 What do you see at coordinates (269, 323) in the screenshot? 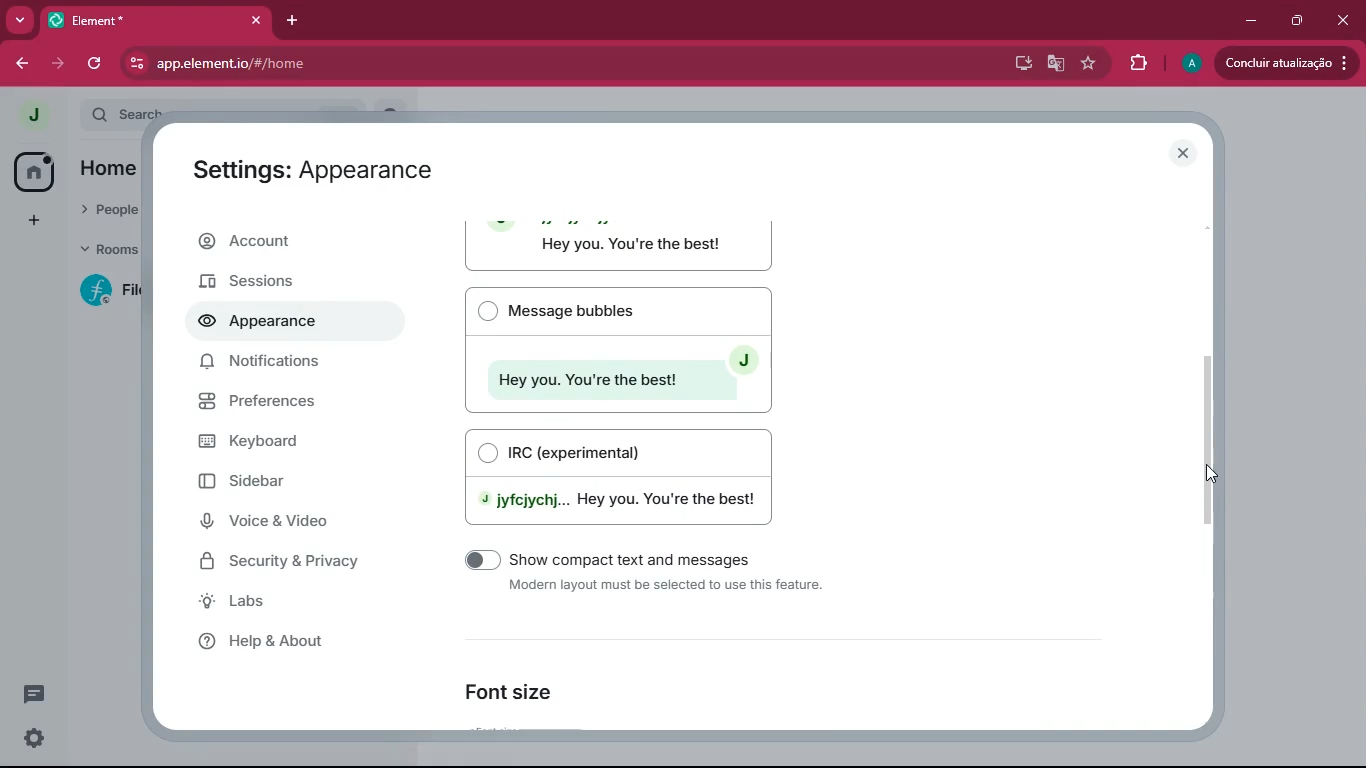
I see `appearance` at bounding box center [269, 323].